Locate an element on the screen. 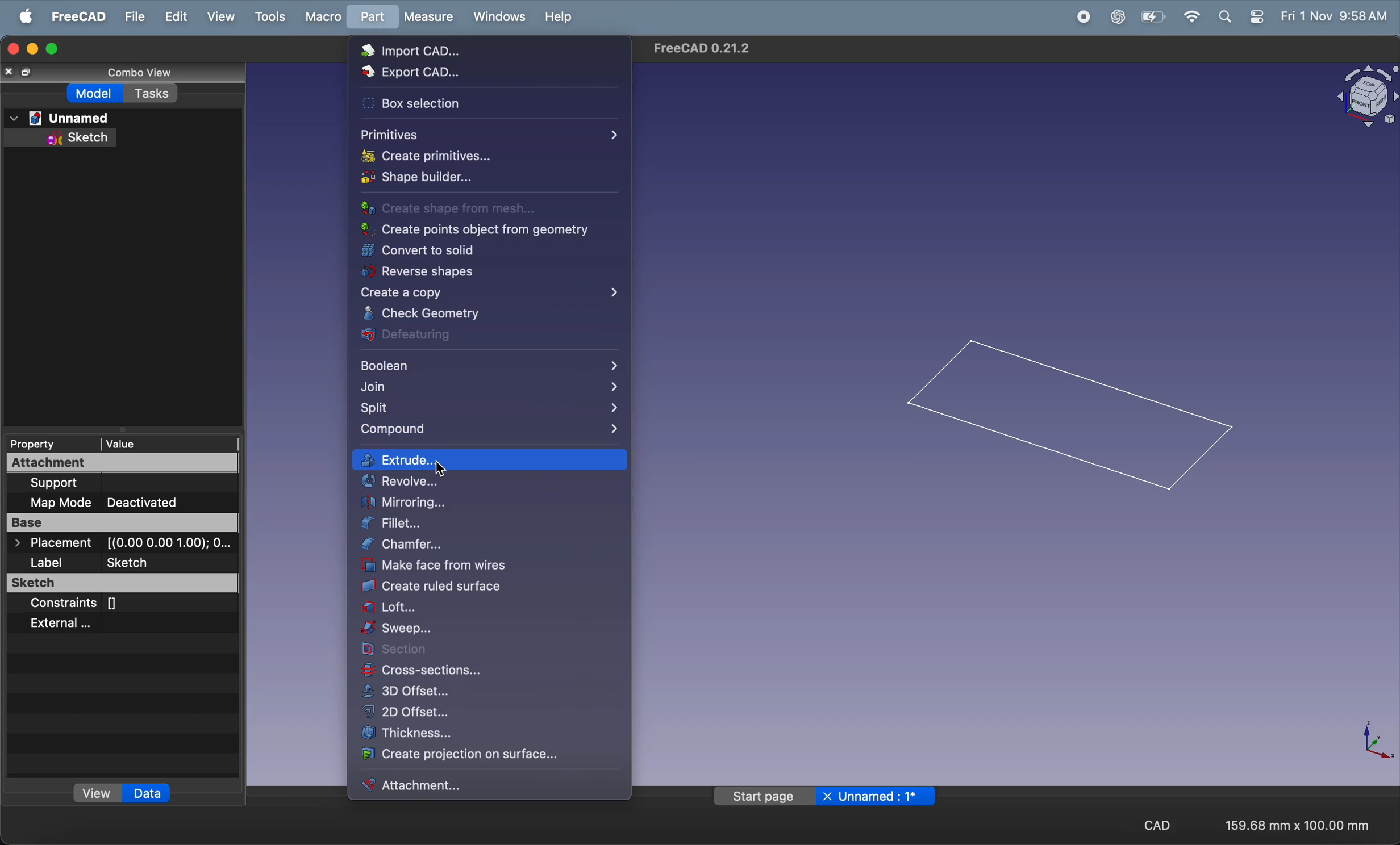 This screenshot has width=1400, height=845. reverse shapes is located at coordinates (484, 273).